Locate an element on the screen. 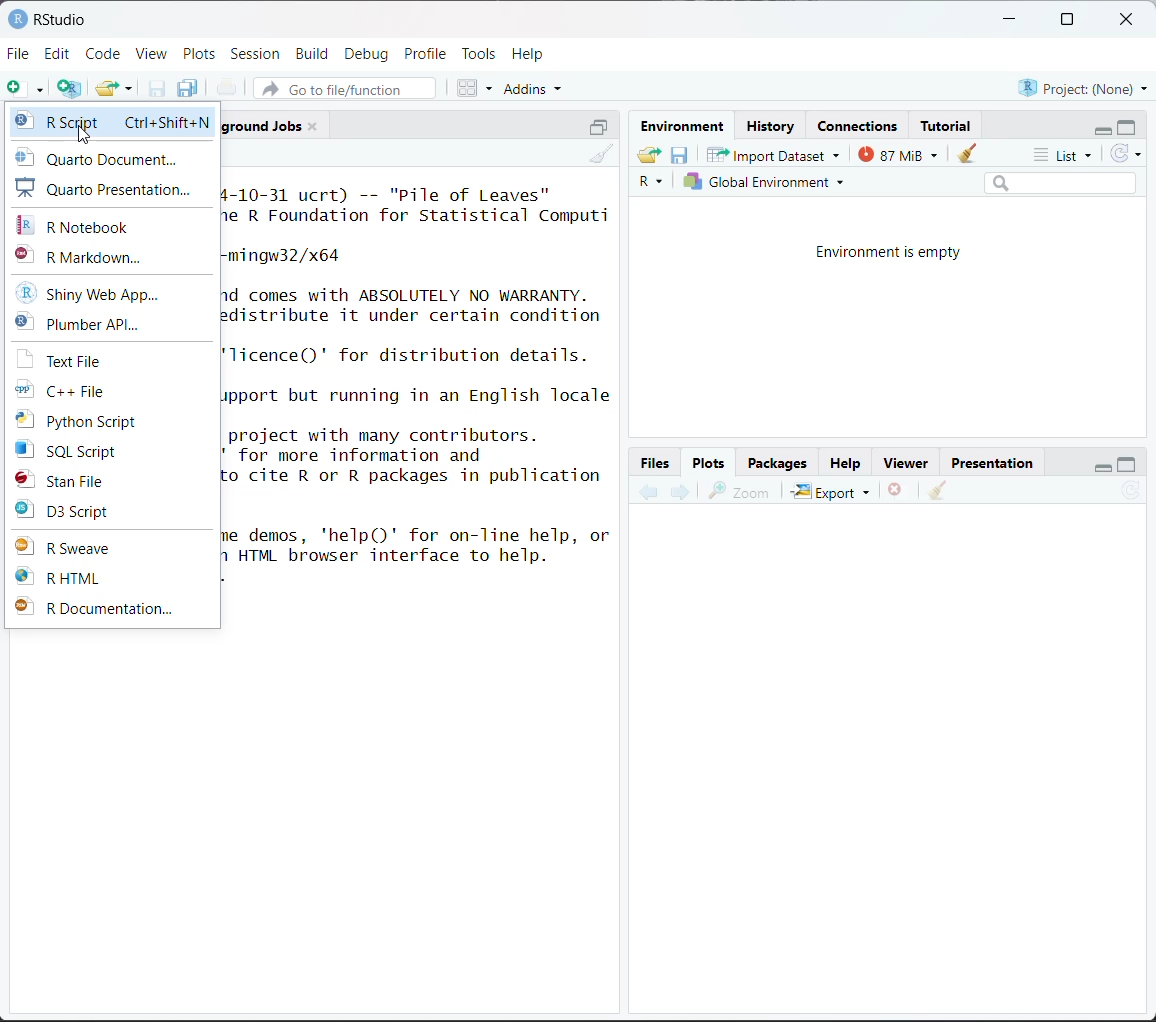 Image resolution: width=1156 pixels, height=1022 pixels. Quarto Document... is located at coordinates (98, 159).